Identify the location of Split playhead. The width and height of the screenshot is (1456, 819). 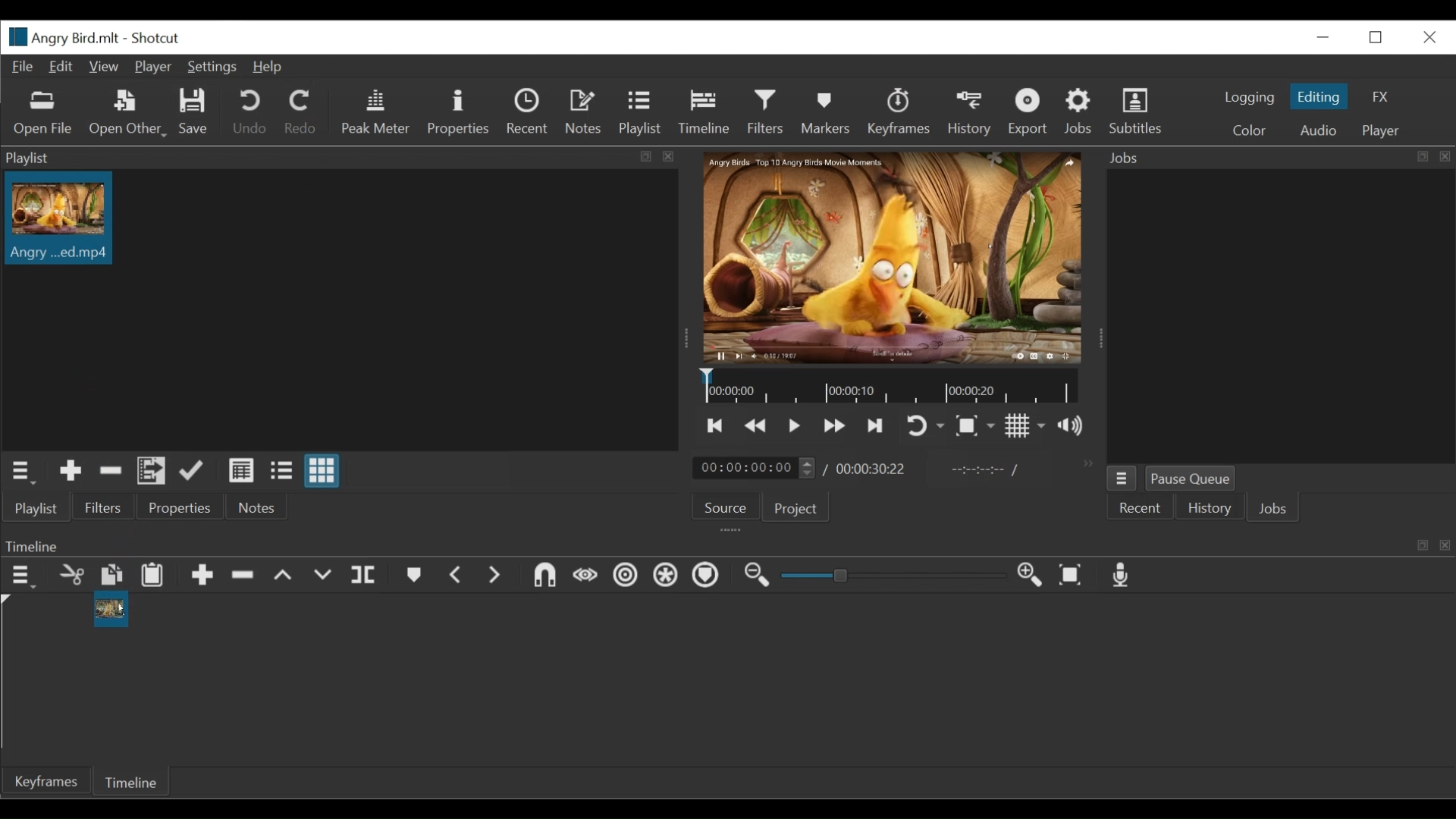
(366, 576).